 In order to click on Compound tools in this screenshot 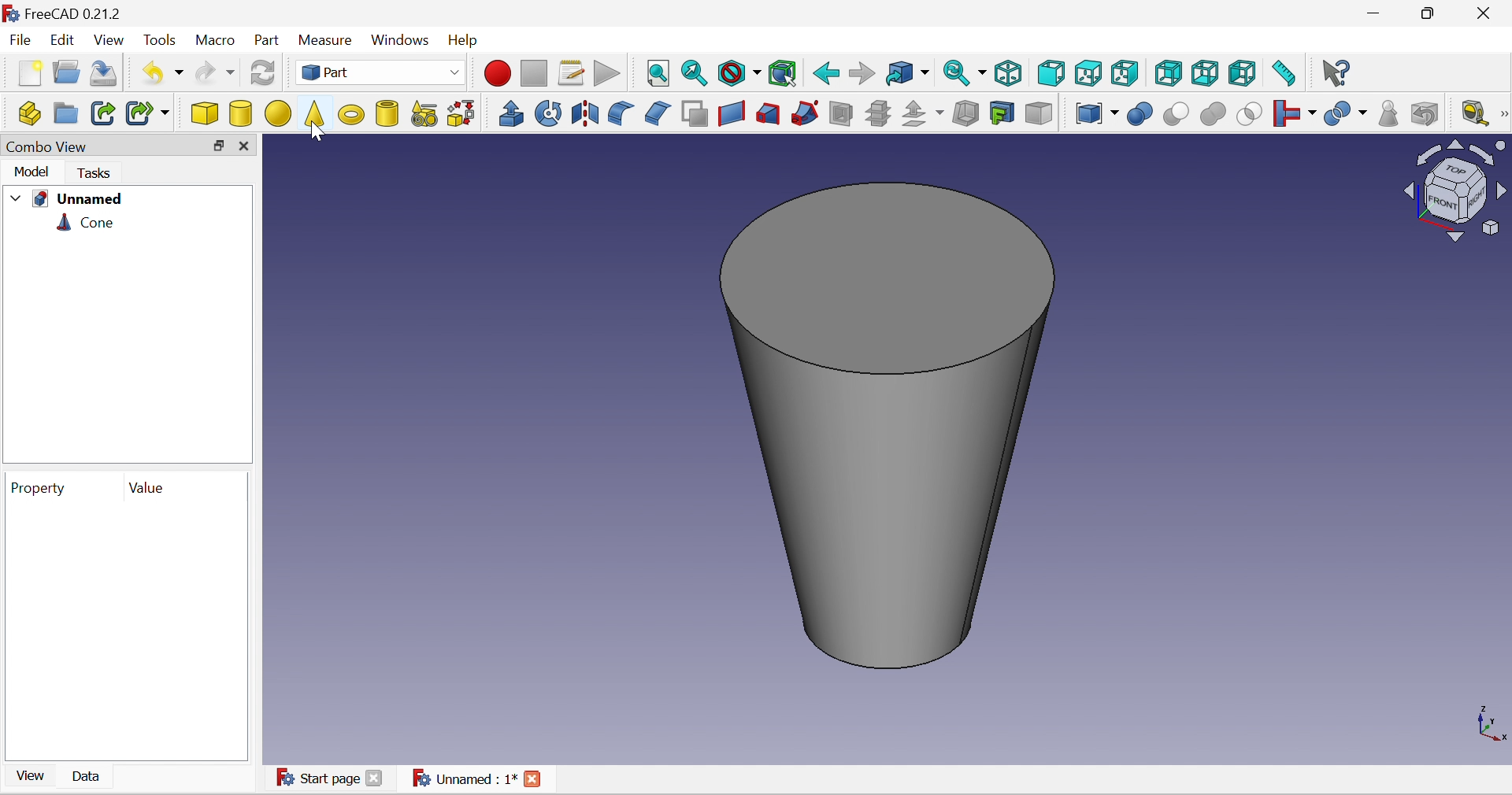, I will do `click(1095, 114)`.